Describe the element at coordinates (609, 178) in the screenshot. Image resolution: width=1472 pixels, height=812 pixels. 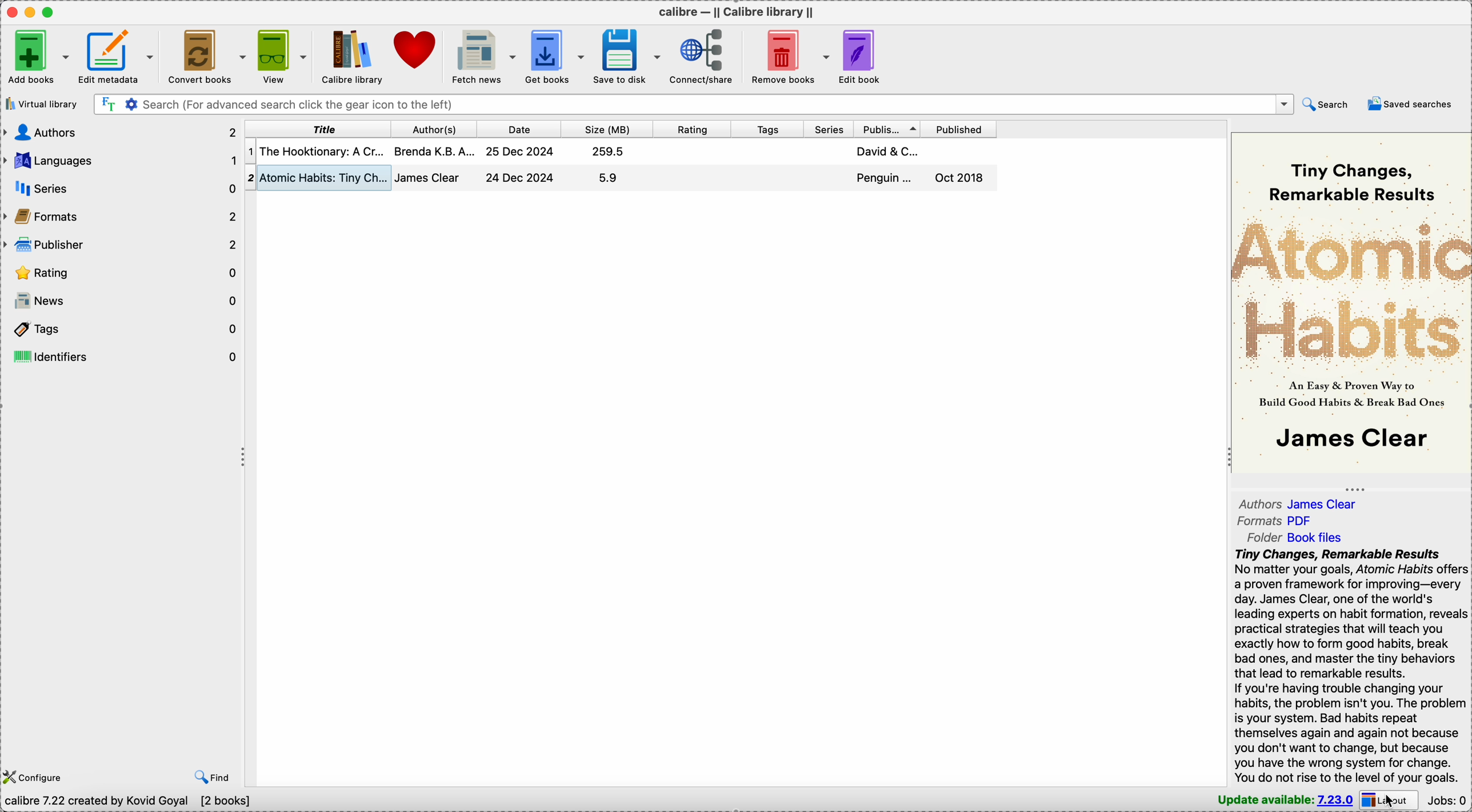
I see `5.9` at that location.